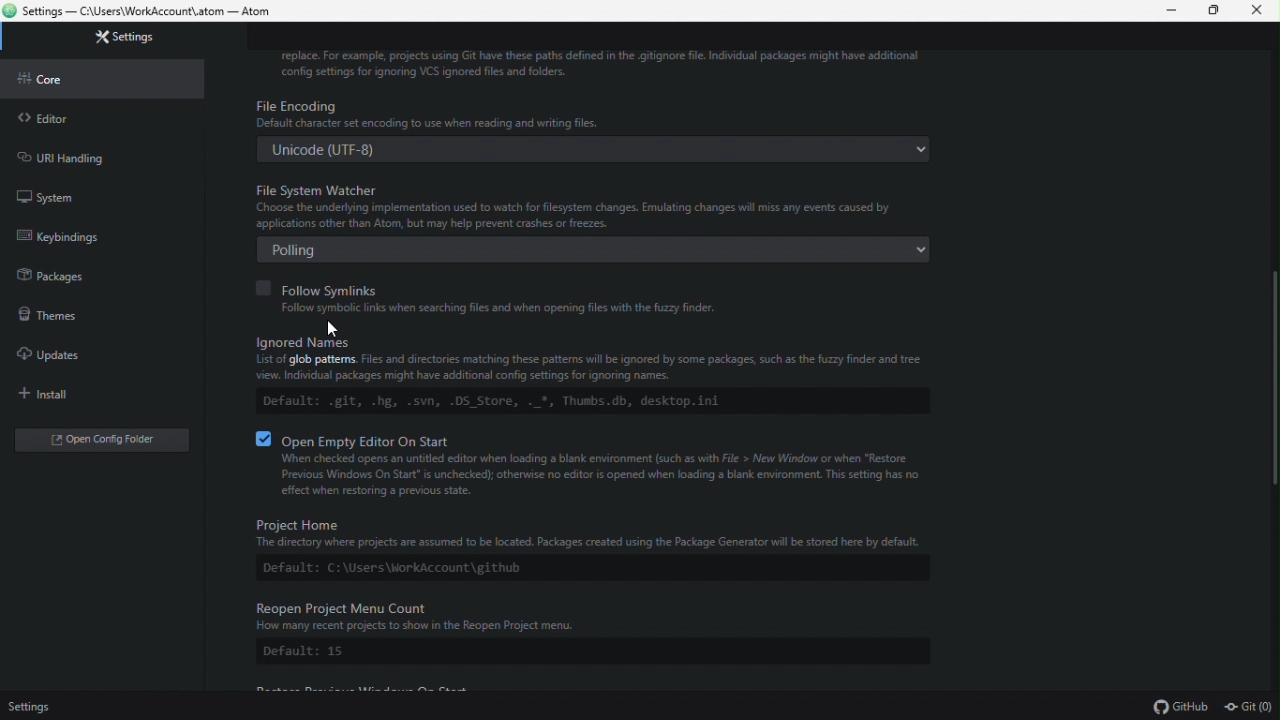 This screenshot has height=720, width=1280. What do you see at coordinates (325, 286) in the screenshot?
I see `Follow Symiinks` at bounding box center [325, 286].